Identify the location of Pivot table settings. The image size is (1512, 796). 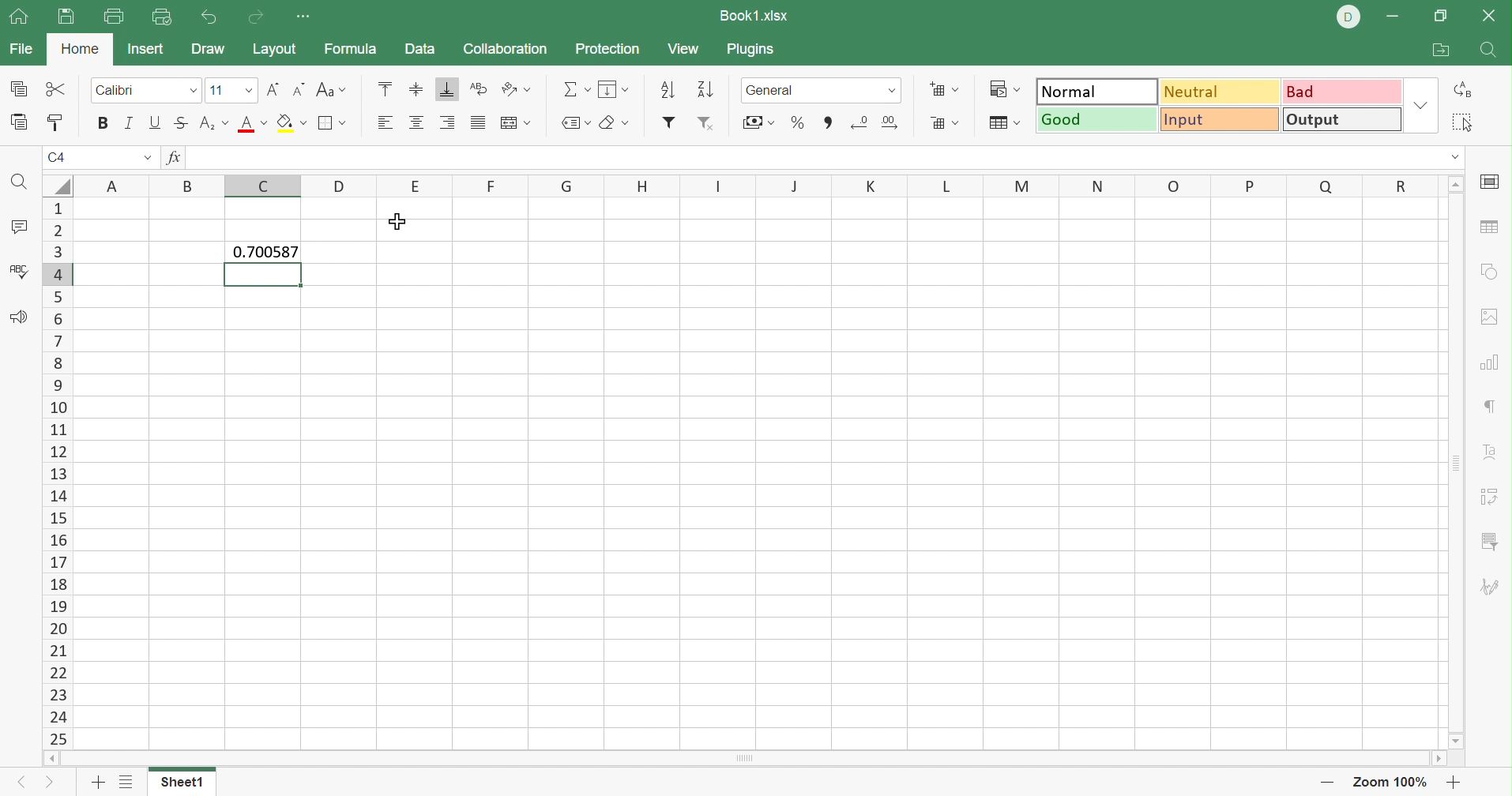
(1491, 496).